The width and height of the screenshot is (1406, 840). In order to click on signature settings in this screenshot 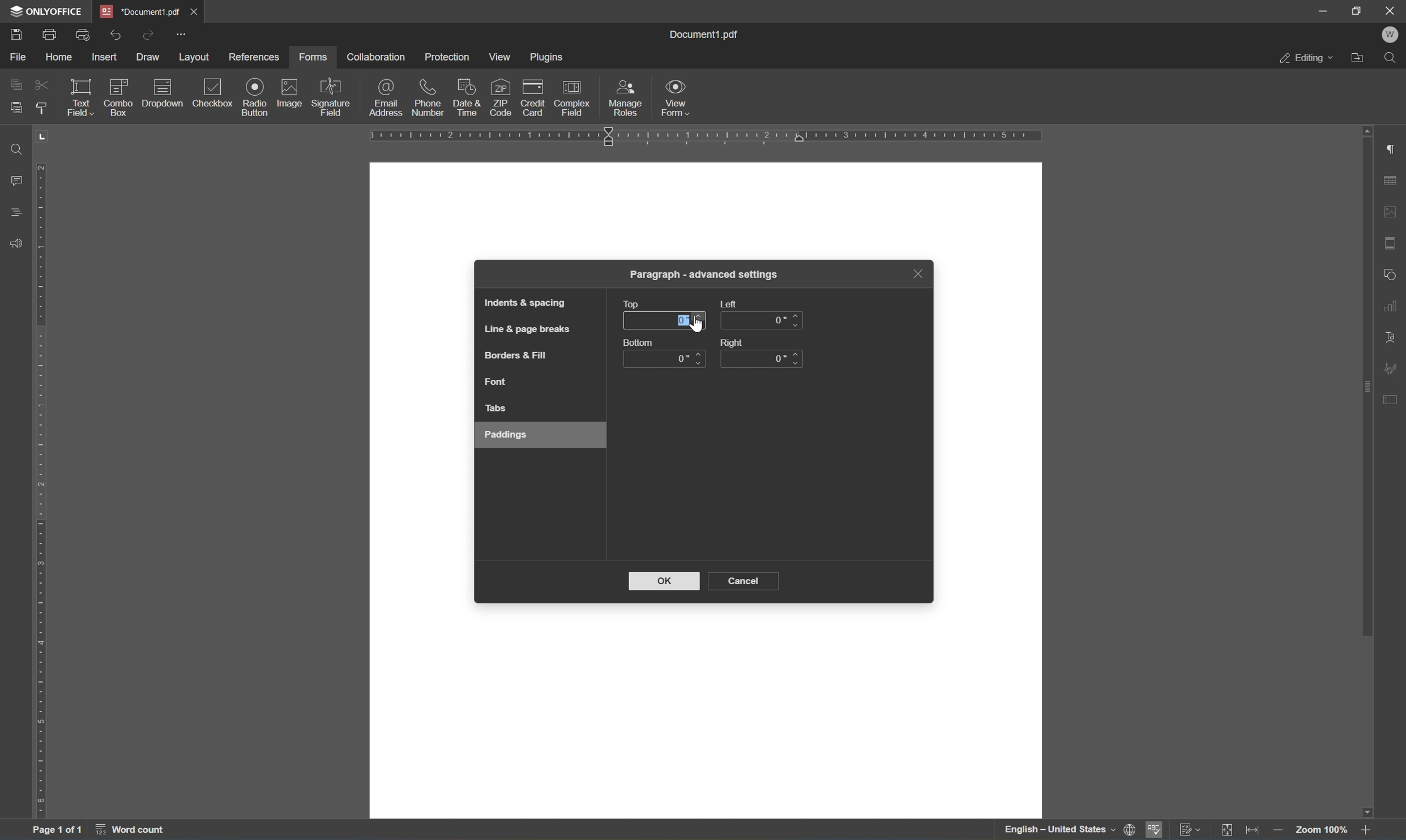, I will do `click(1394, 368)`.